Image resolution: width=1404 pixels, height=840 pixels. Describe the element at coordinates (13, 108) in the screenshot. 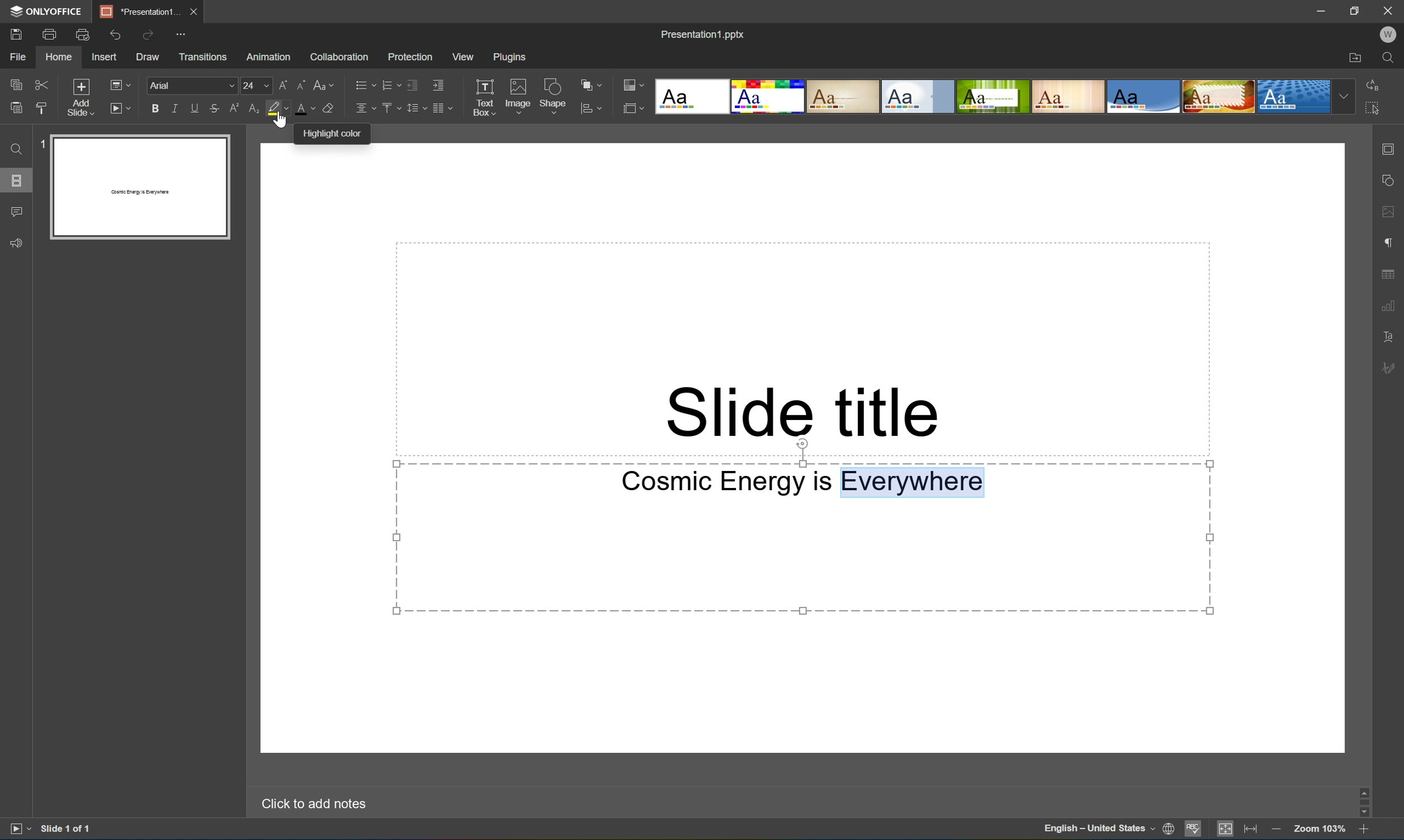

I see `Paste` at that location.